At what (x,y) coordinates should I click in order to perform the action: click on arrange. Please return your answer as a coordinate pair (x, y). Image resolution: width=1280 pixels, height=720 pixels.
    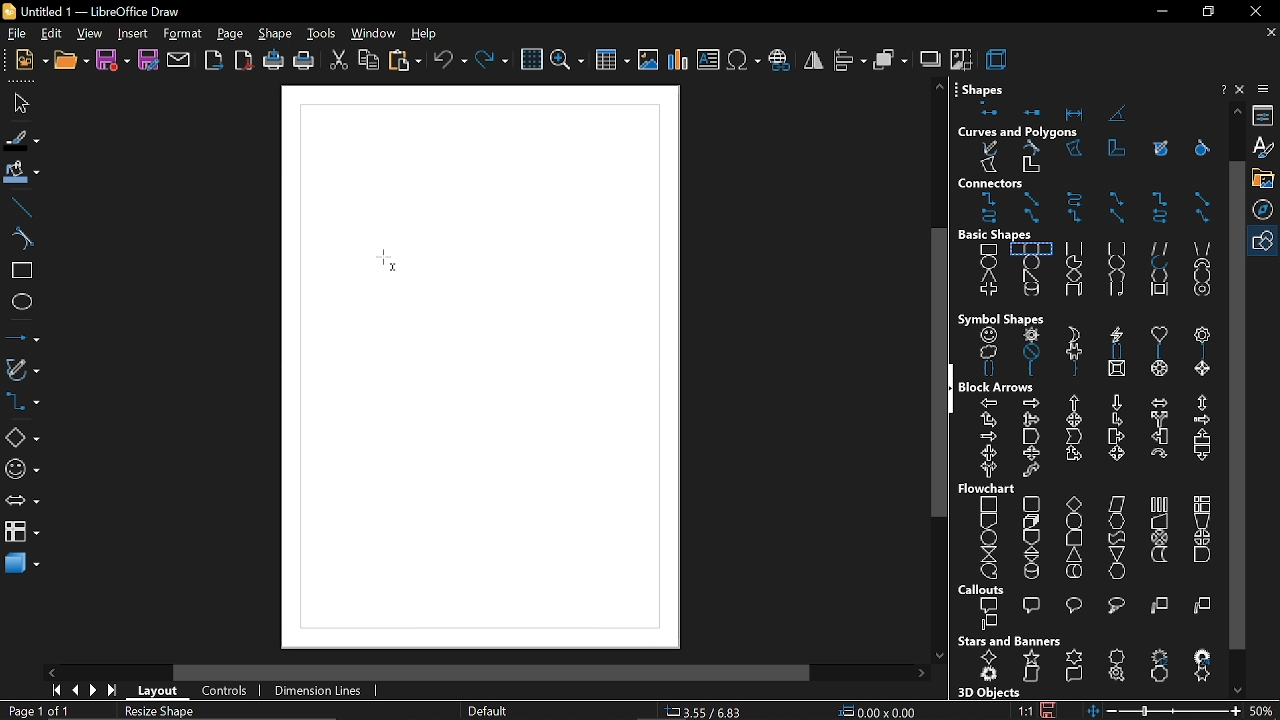
    Looking at the image, I should click on (891, 59).